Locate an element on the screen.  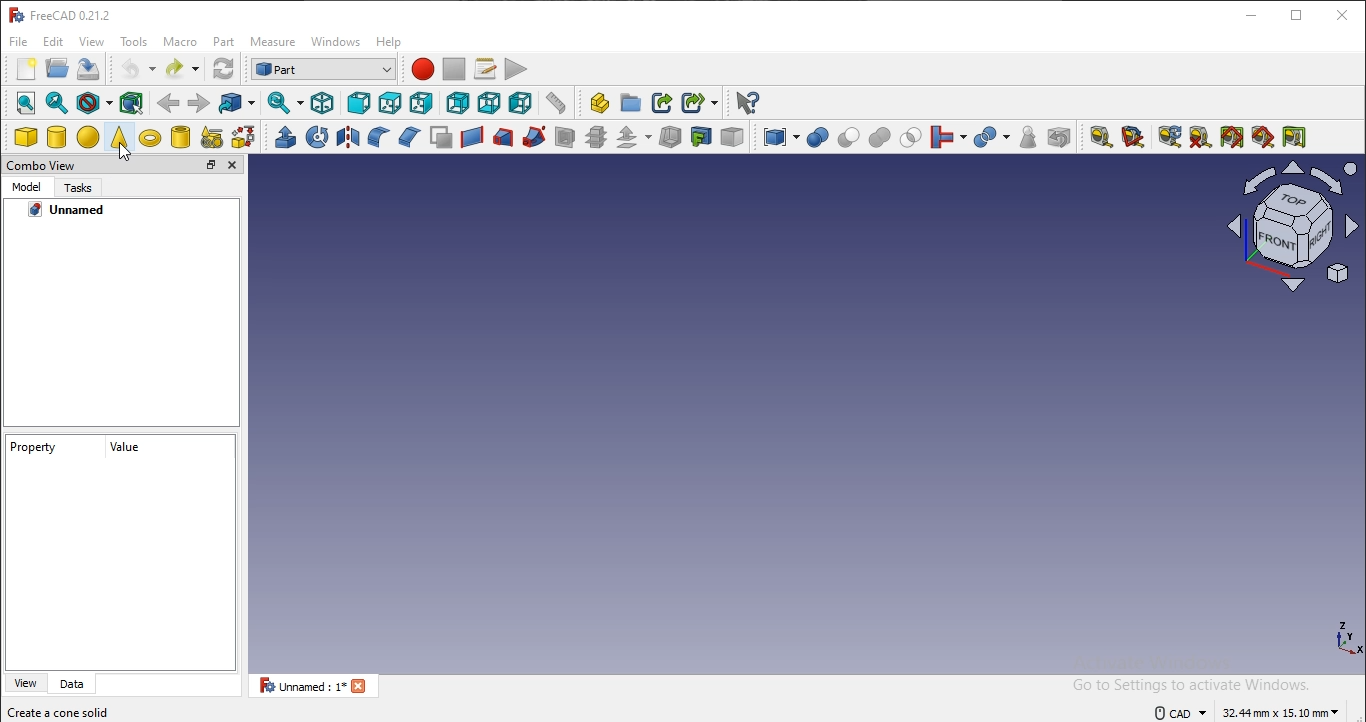
shape builder is located at coordinates (212, 138).